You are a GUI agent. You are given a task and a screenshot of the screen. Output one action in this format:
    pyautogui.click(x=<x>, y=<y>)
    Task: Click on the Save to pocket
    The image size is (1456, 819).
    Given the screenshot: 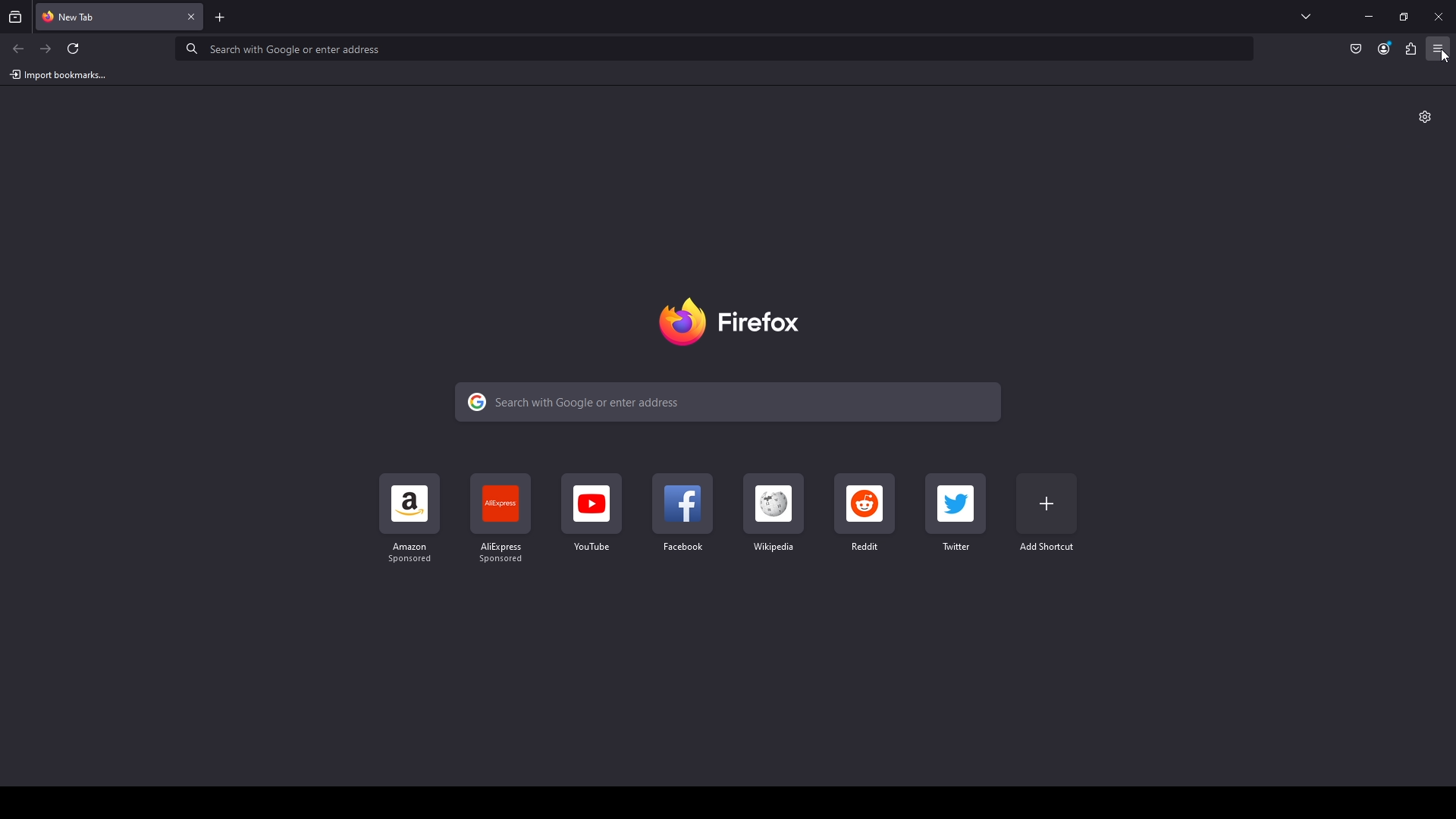 What is the action you would take?
    pyautogui.click(x=1354, y=50)
    